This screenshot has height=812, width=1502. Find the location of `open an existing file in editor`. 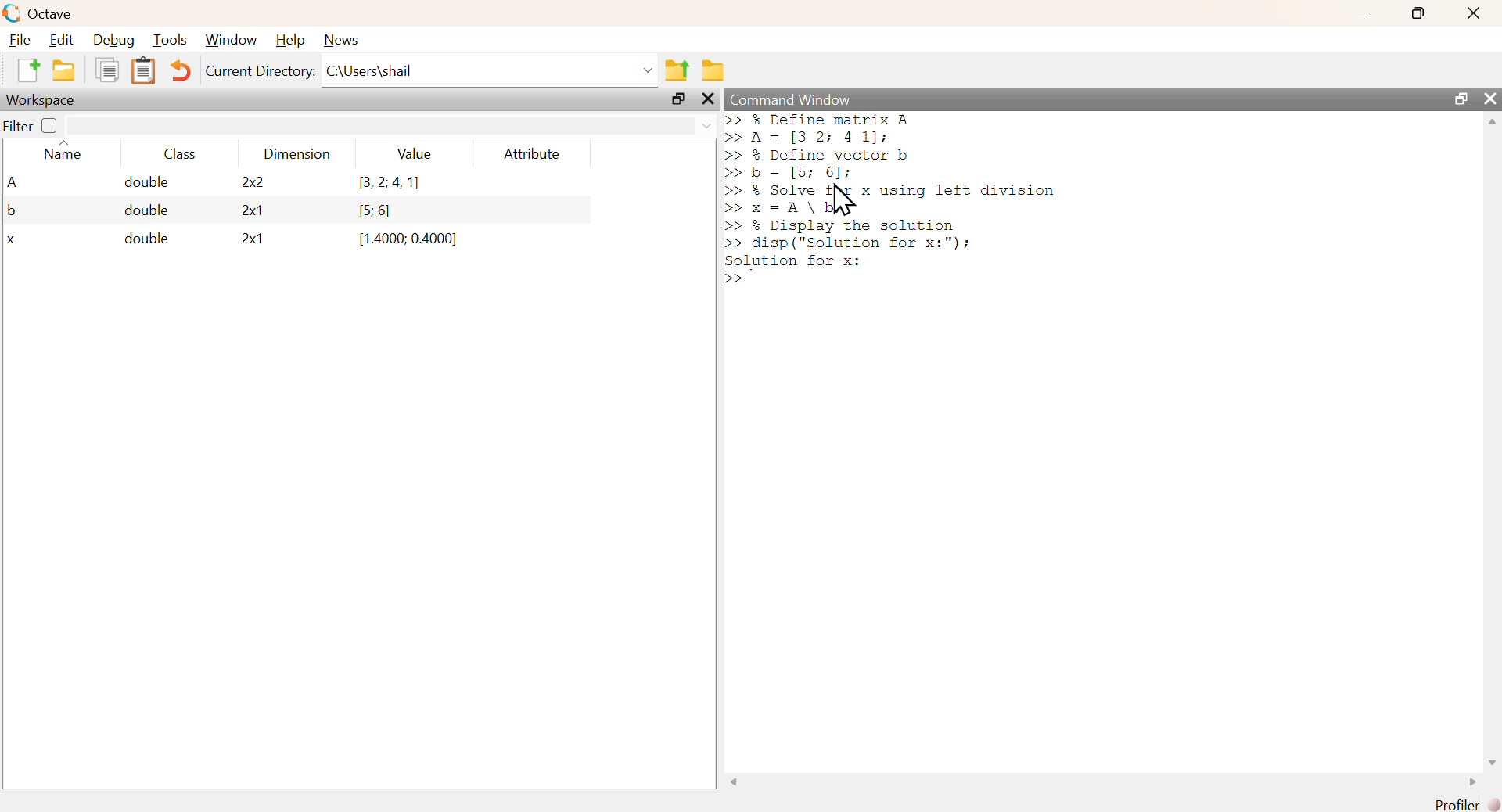

open an existing file in editor is located at coordinates (63, 71).